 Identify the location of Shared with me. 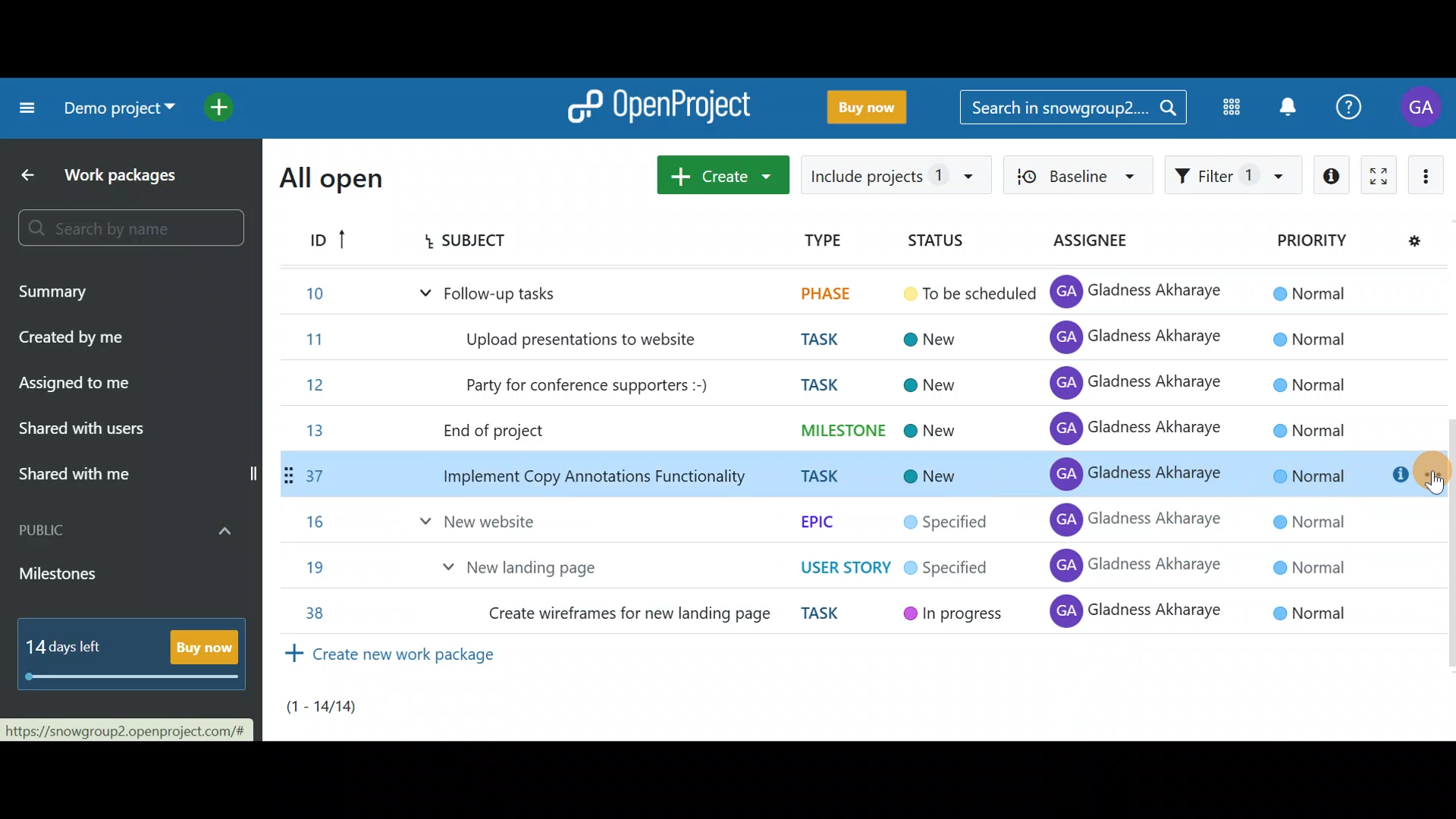
(138, 475).